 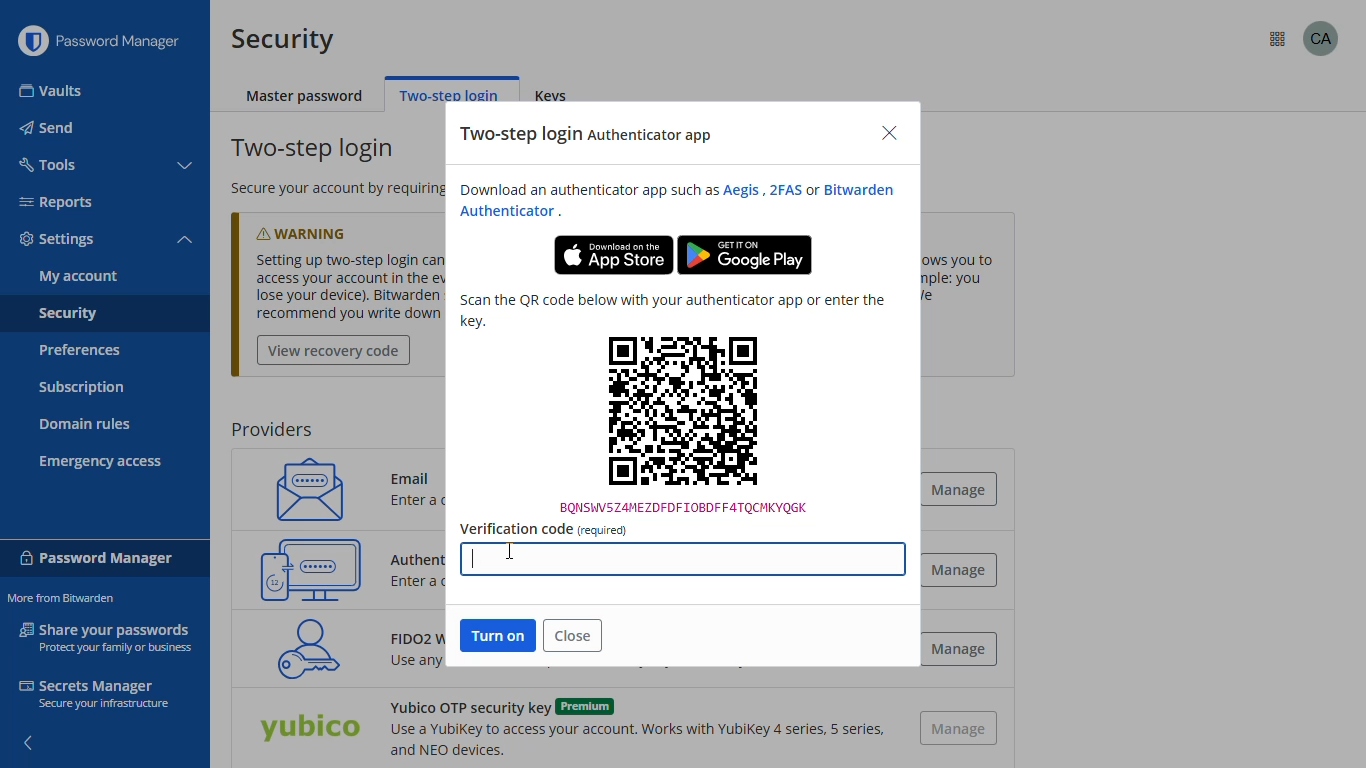 What do you see at coordinates (508, 212) in the screenshot?
I see `Authenticator` at bounding box center [508, 212].